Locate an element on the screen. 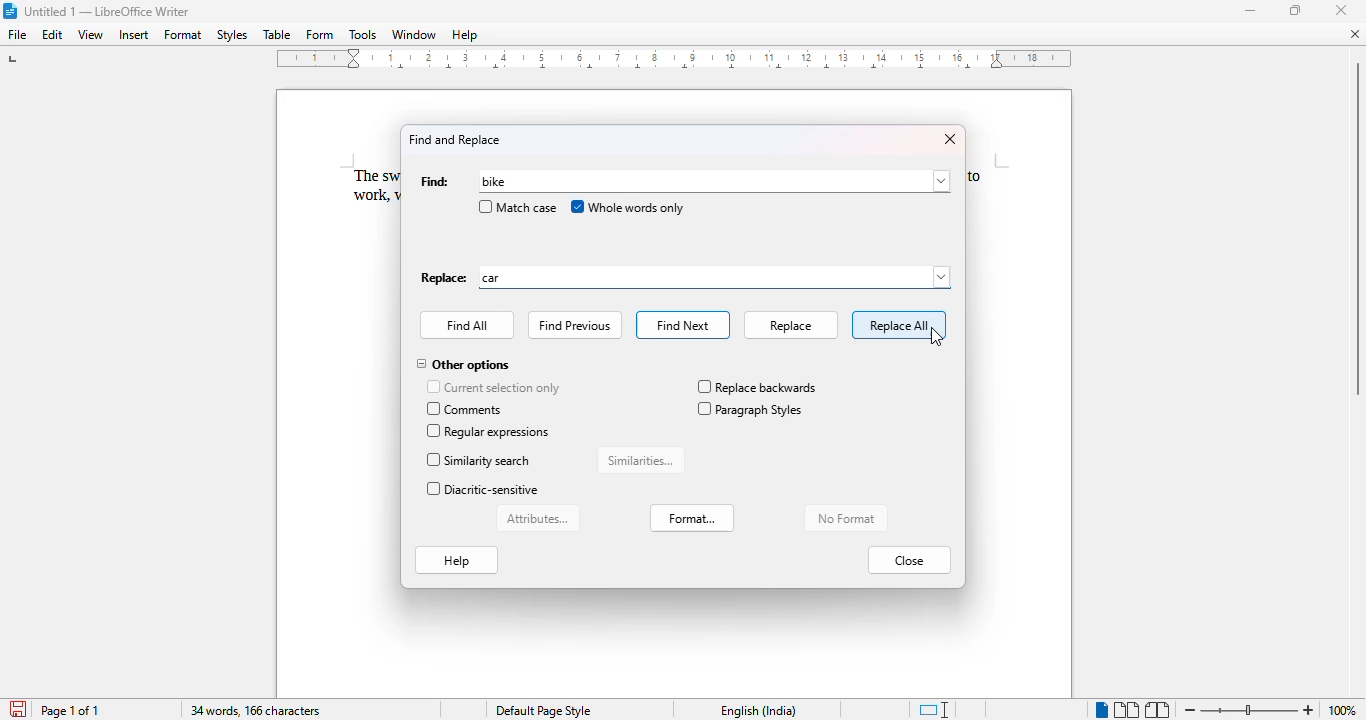 This screenshot has width=1366, height=720. similarity search is located at coordinates (481, 460).